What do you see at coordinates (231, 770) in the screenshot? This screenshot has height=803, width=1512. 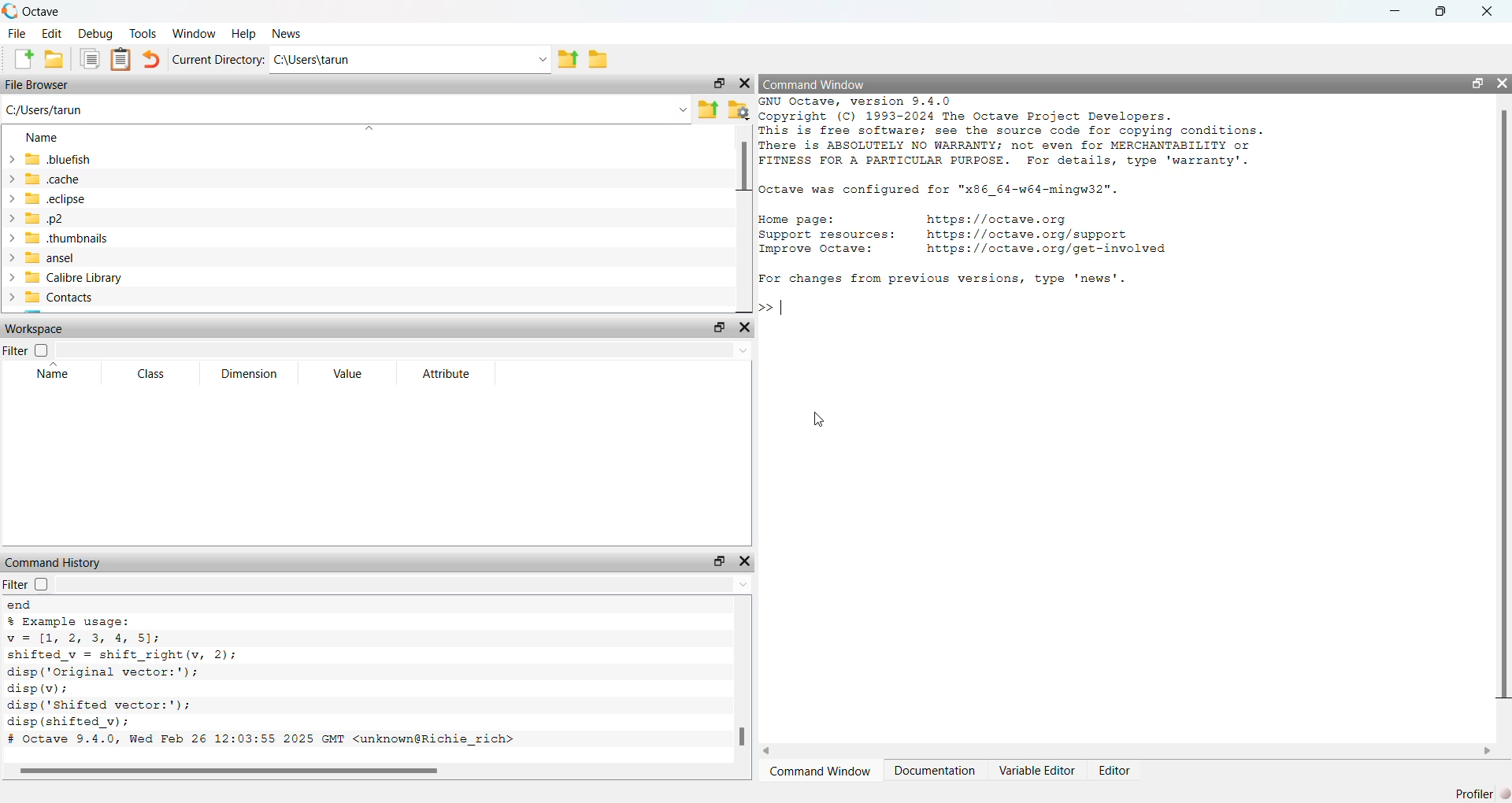 I see `scrollbar` at bounding box center [231, 770].